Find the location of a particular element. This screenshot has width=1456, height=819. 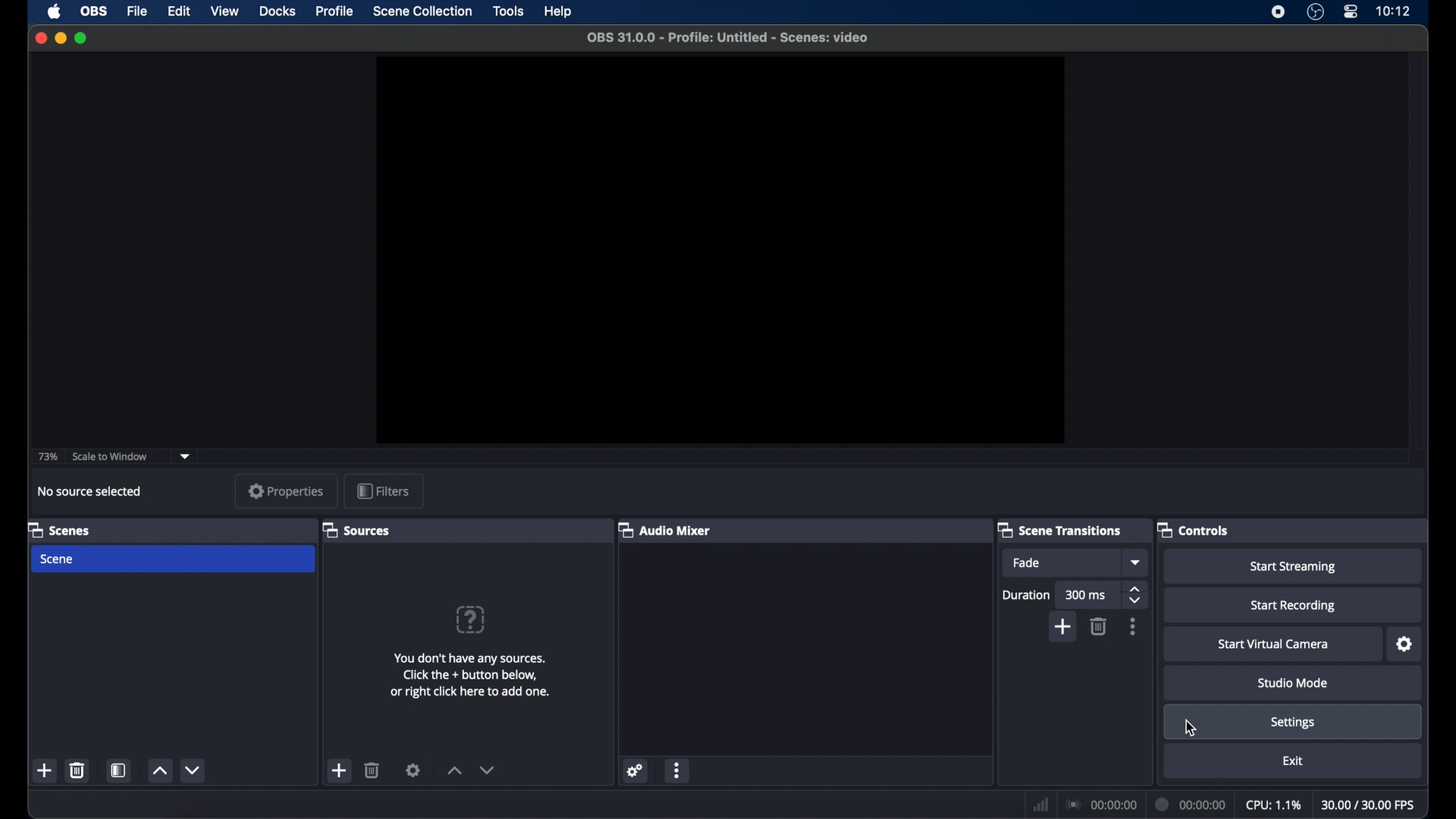

apple icon is located at coordinates (55, 12).